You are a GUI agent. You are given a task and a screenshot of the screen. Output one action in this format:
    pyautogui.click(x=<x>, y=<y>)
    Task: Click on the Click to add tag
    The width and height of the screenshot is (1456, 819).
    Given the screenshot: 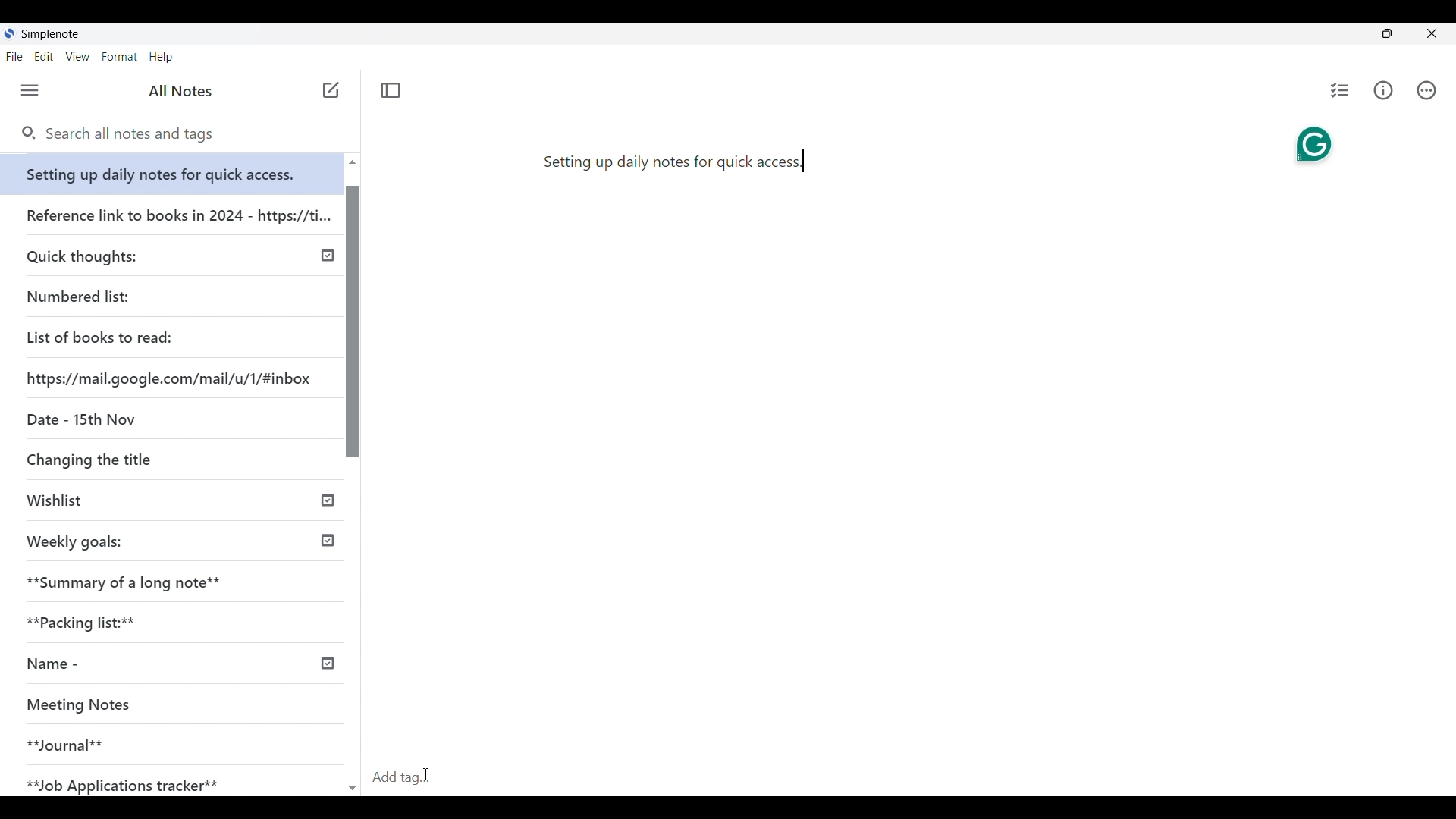 What is the action you would take?
    pyautogui.click(x=908, y=780)
    